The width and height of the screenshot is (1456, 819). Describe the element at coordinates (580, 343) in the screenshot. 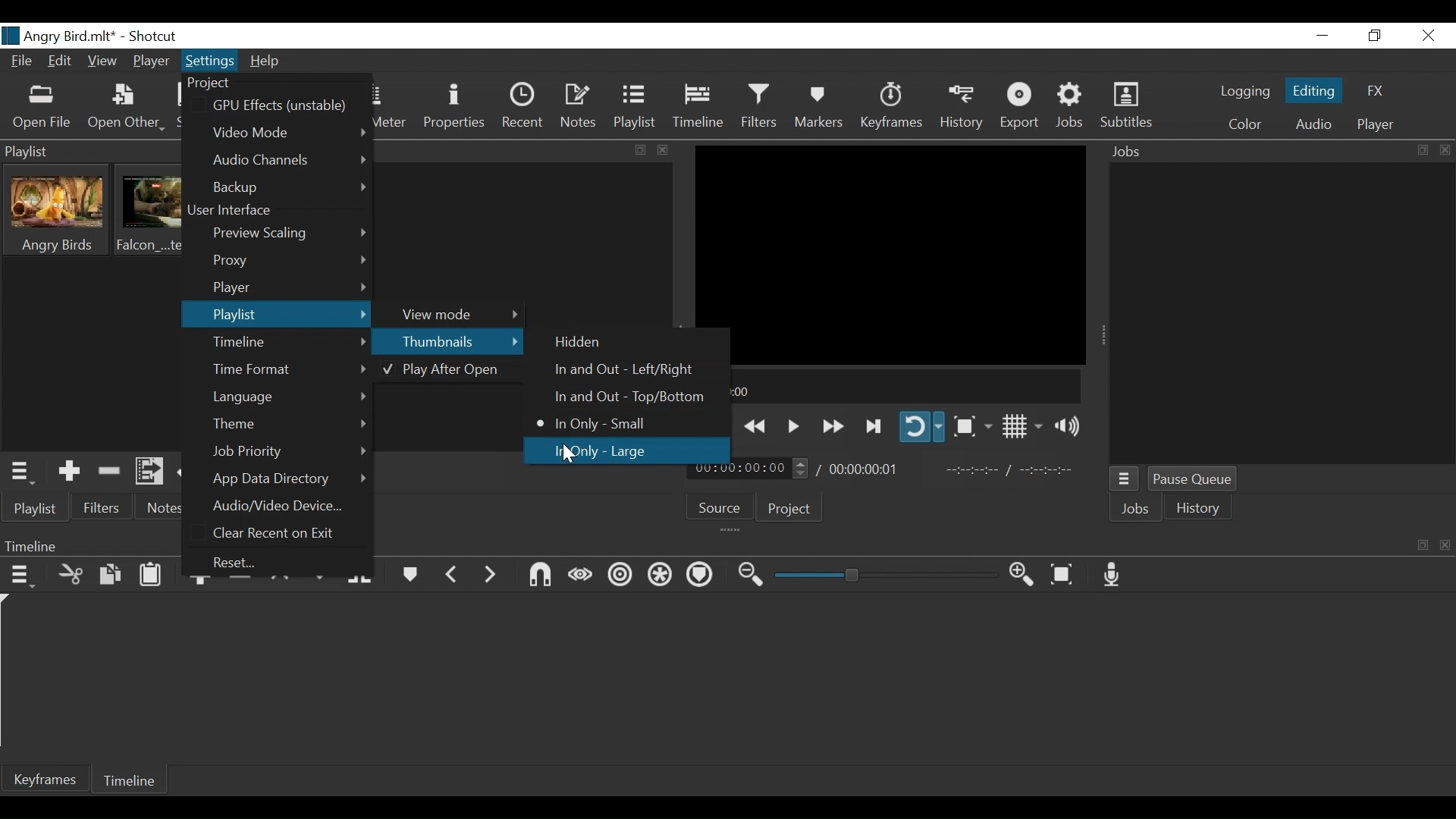

I see `Hidden` at that location.